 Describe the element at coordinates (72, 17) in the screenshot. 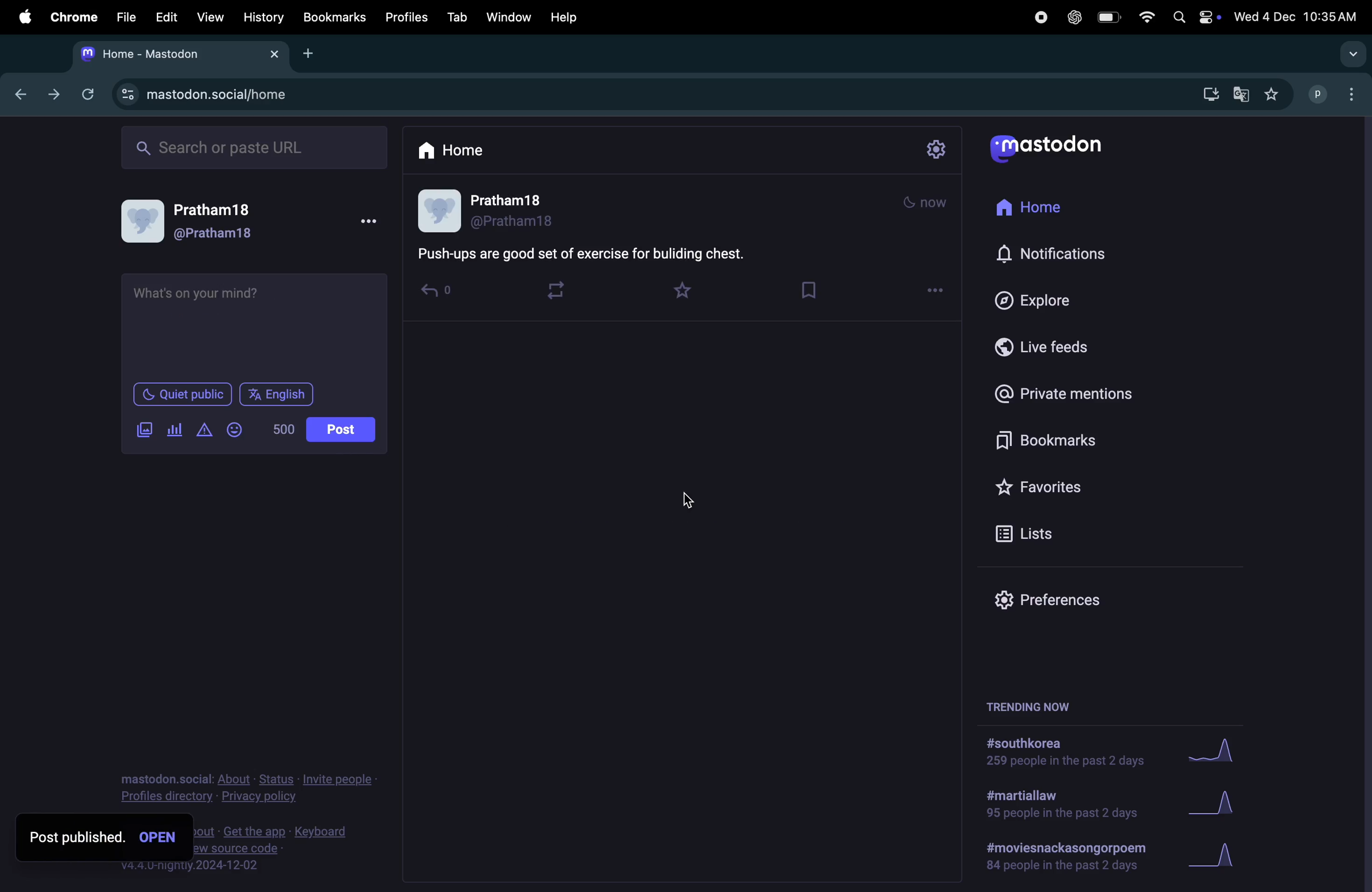

I see `Chrome` at that location.